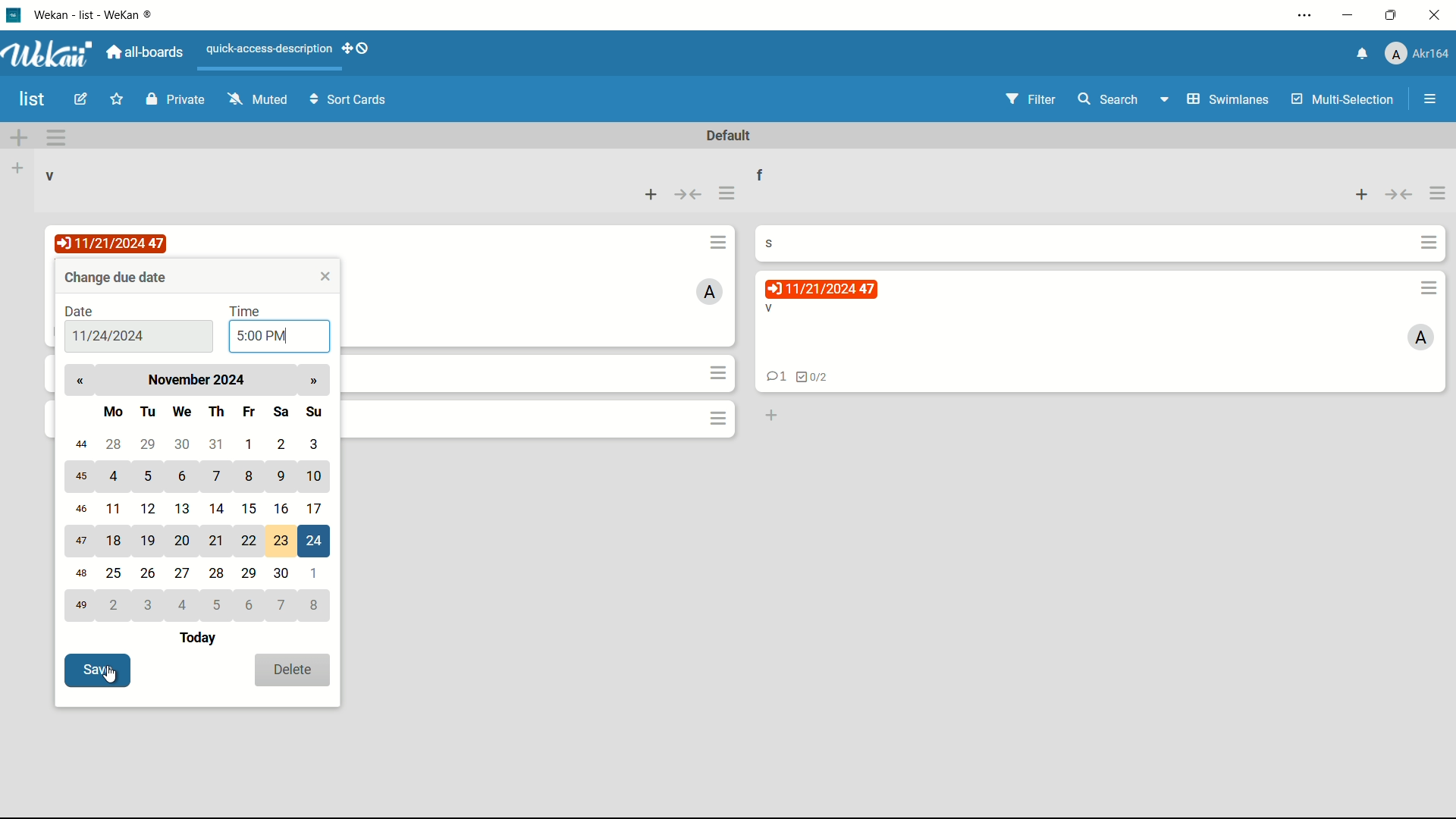 Image resolution: width=1456 pixels, height=819 pixels. Describe the element at coordinates (185, 477) in the screenshot. I see `6` at that location.